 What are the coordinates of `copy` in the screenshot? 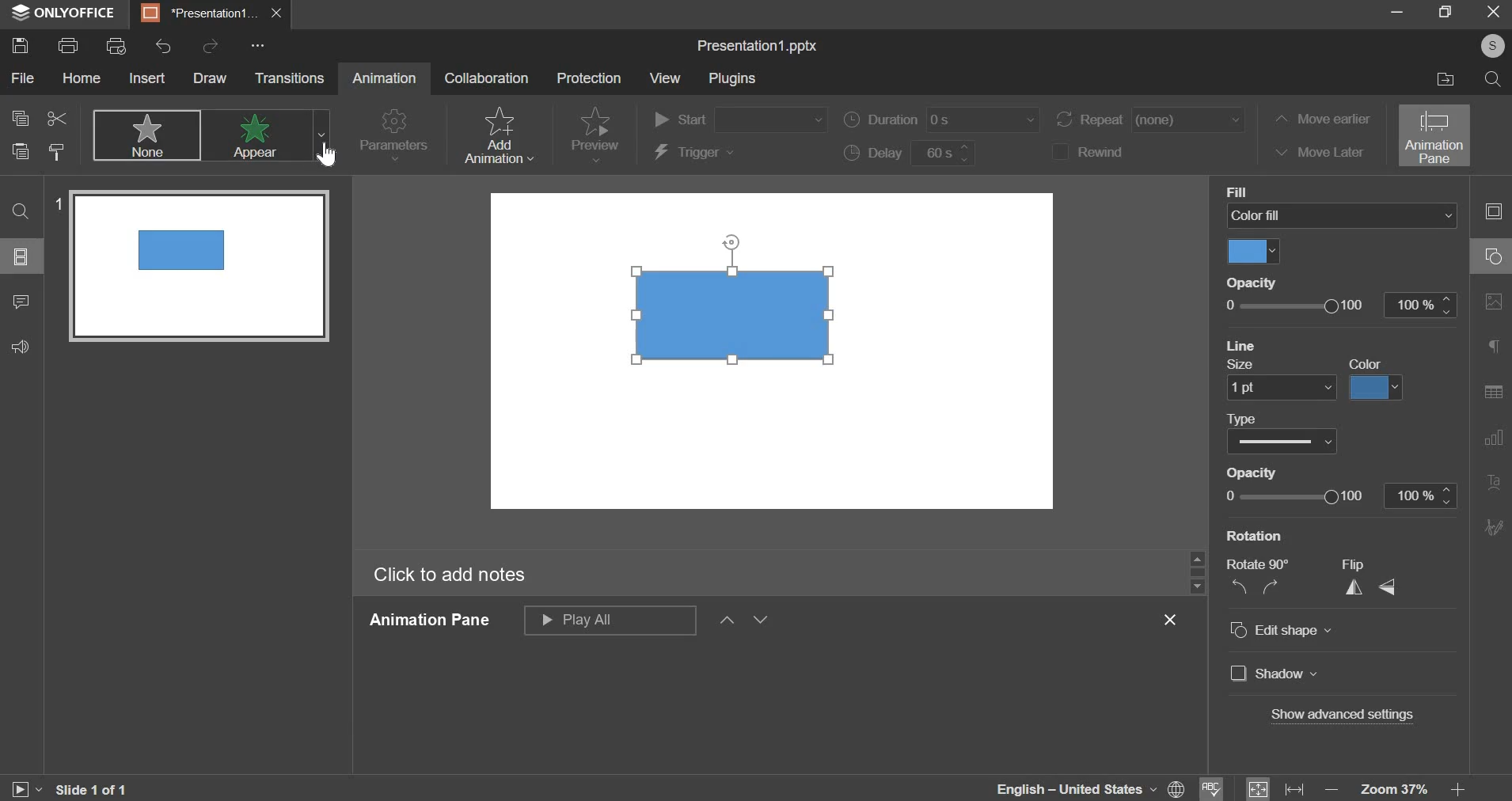 It's located at (18, 119).